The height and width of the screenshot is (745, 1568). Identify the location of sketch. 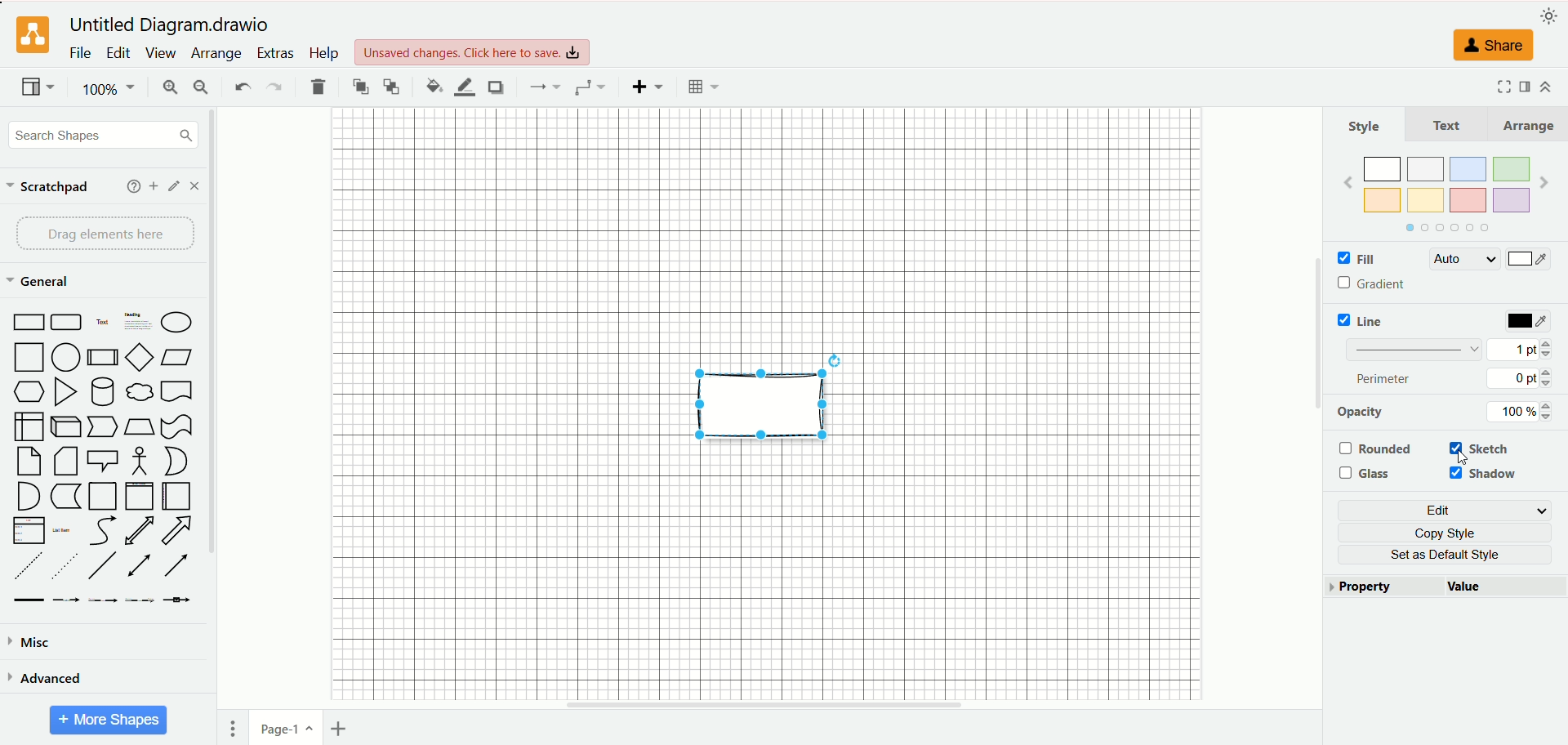
(1489, 447).